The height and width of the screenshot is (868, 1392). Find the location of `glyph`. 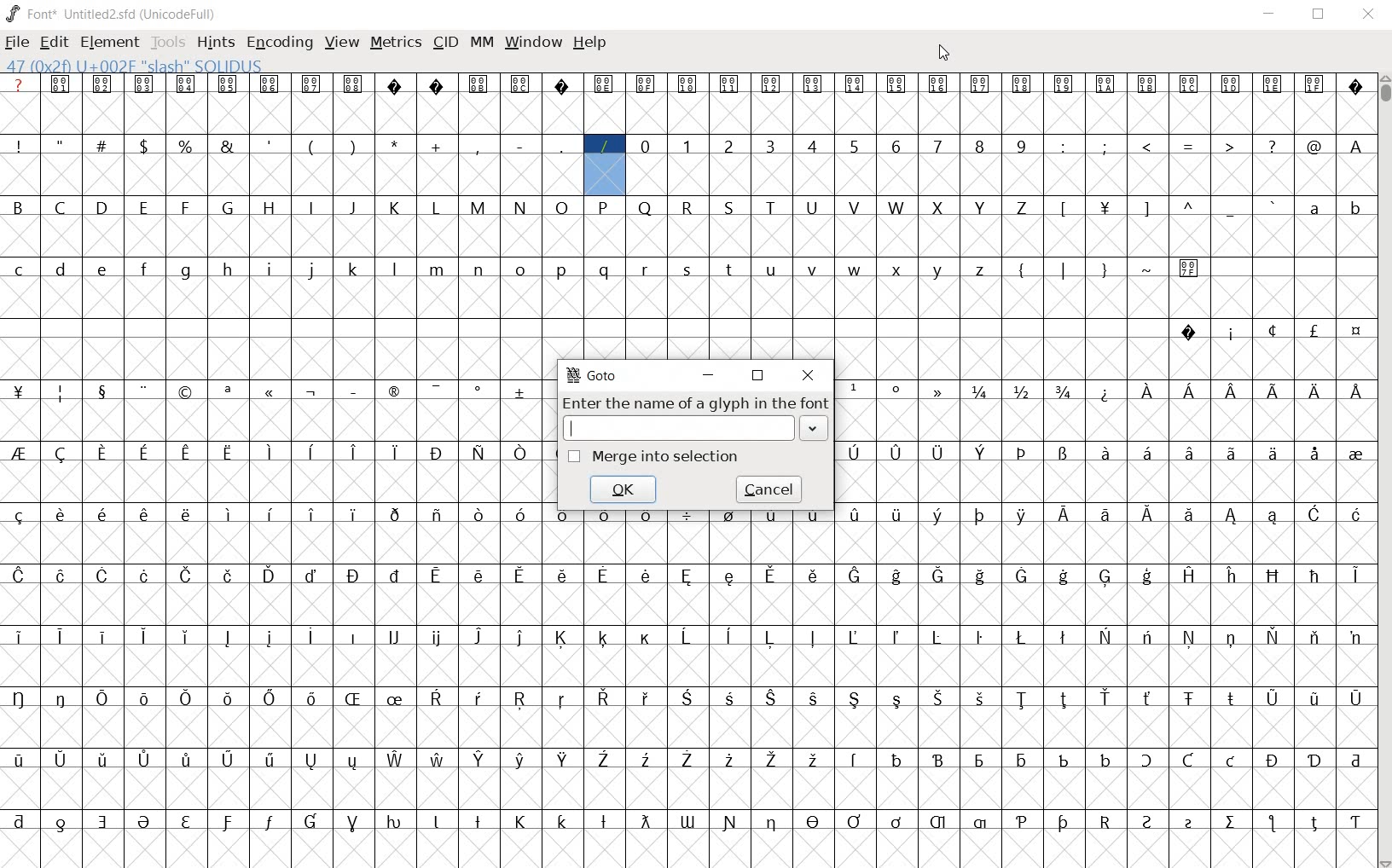

glyph is located at coordinates (478, 637).